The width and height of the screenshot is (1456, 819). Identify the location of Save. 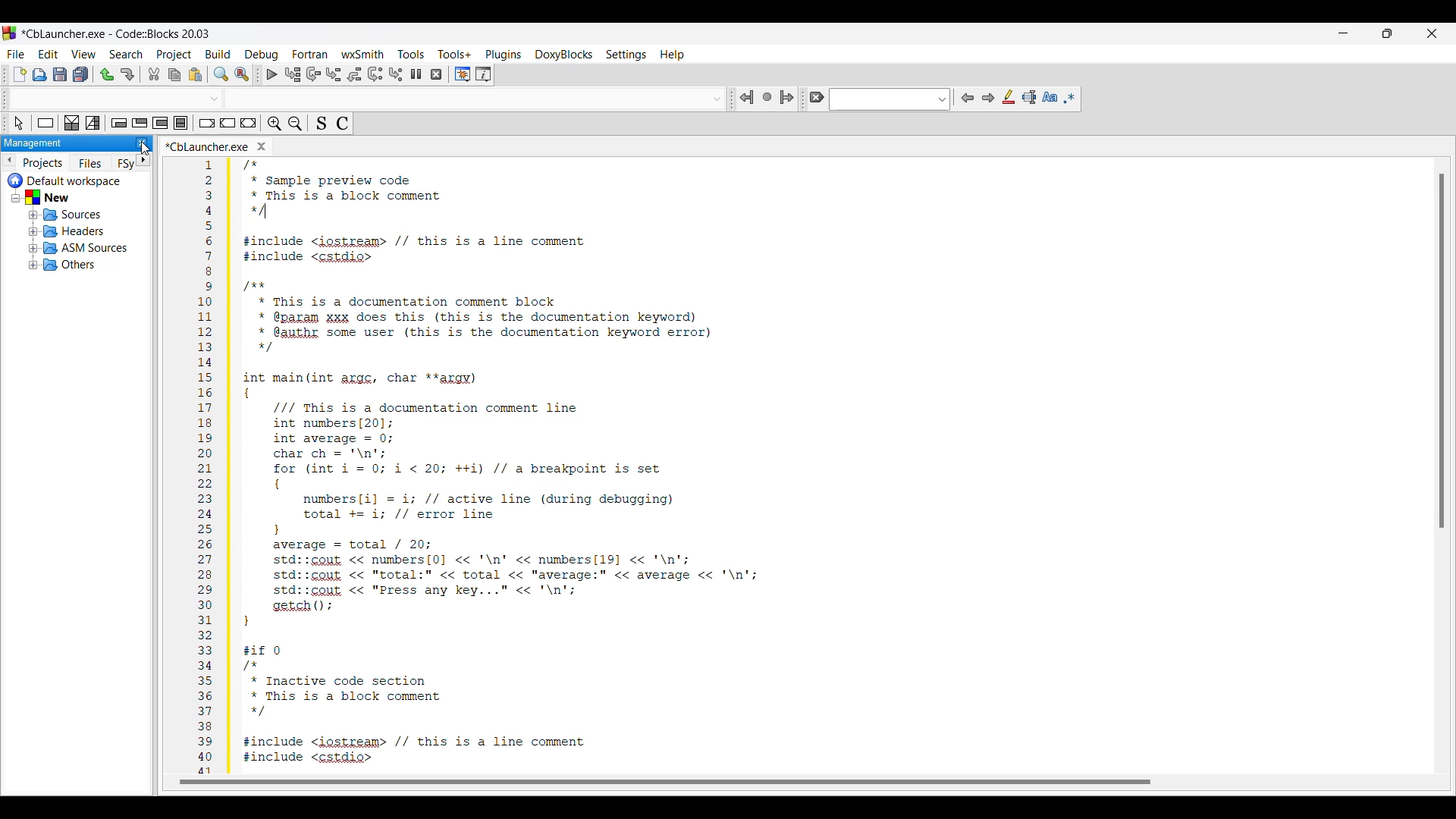
(60, 74).